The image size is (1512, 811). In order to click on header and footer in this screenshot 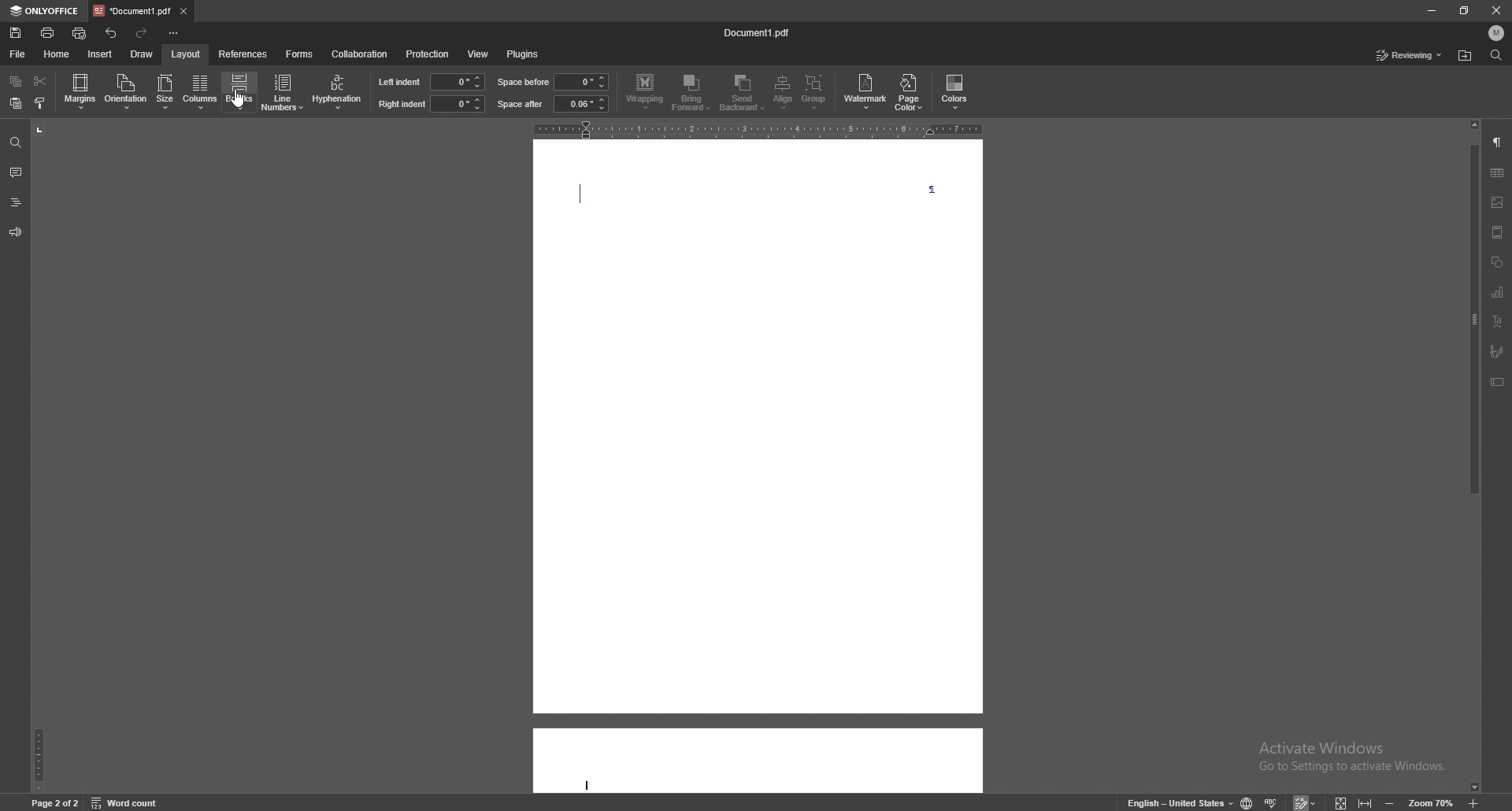, I will do `click(1495, 231)`.